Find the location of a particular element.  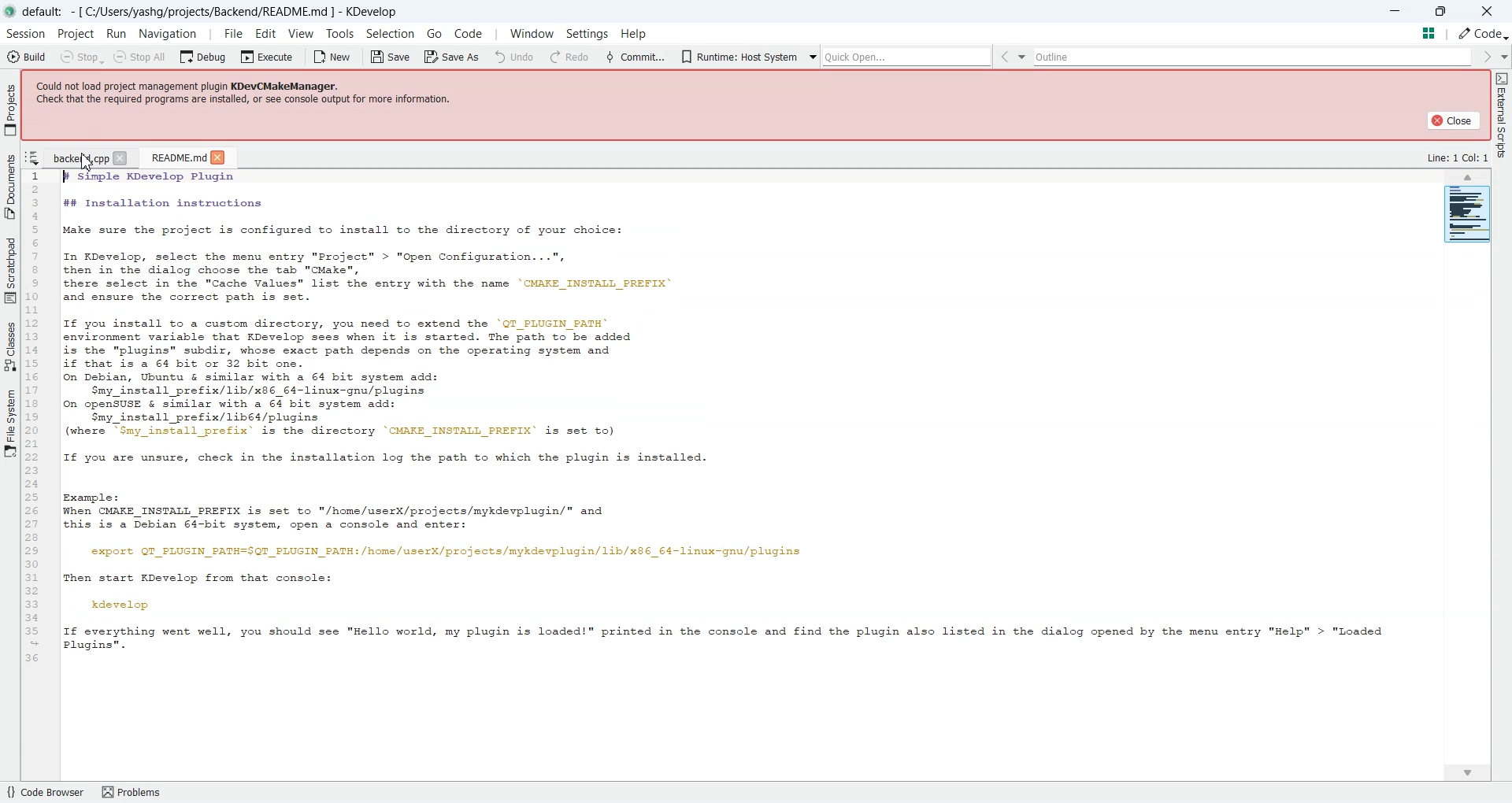

Document overview is located at coordinates (1429, 32).